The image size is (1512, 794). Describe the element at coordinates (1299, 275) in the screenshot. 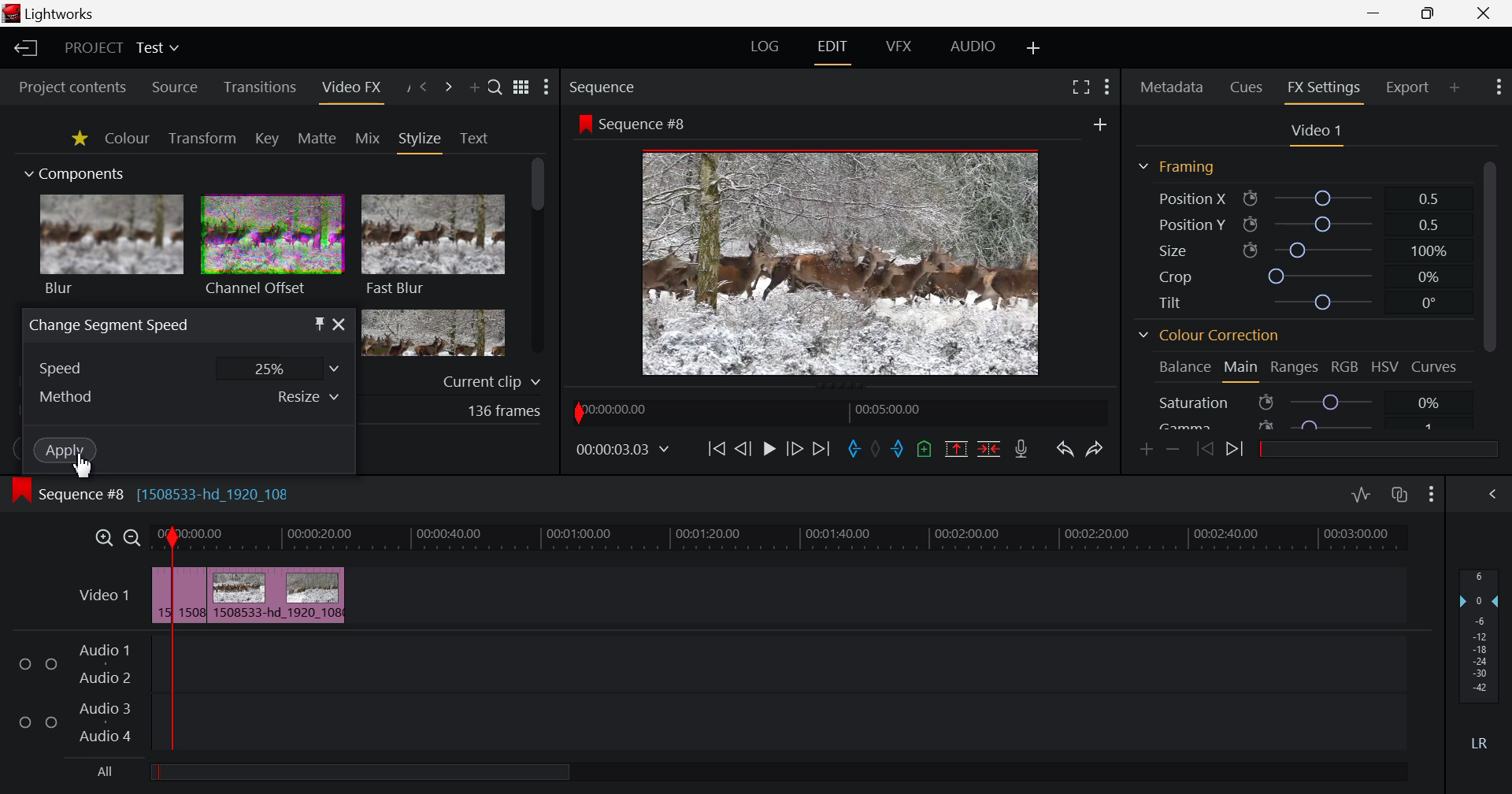

I see `Crop` at that location.